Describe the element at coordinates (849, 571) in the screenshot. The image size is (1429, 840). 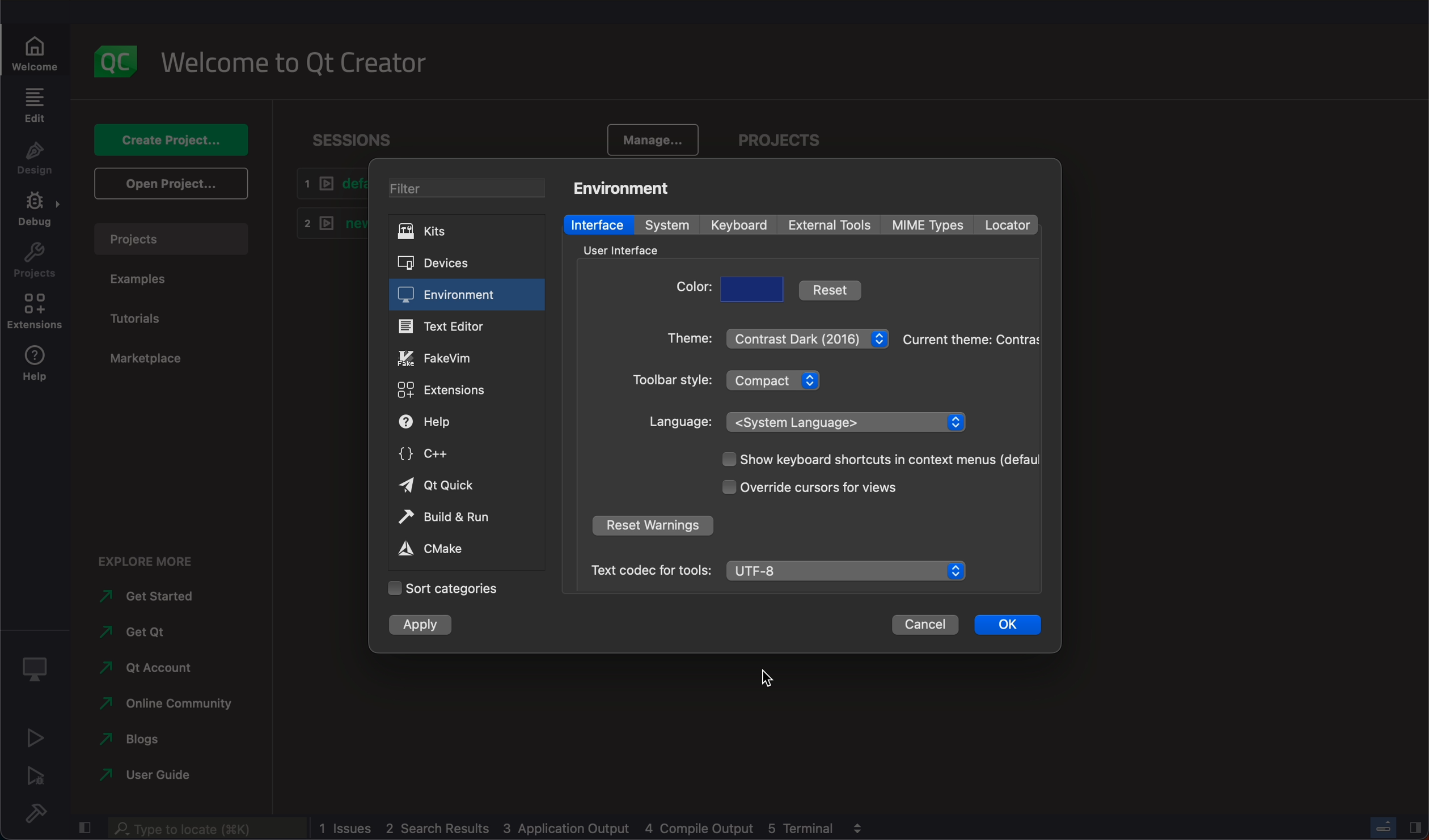
I see `UTF-8` at that location.